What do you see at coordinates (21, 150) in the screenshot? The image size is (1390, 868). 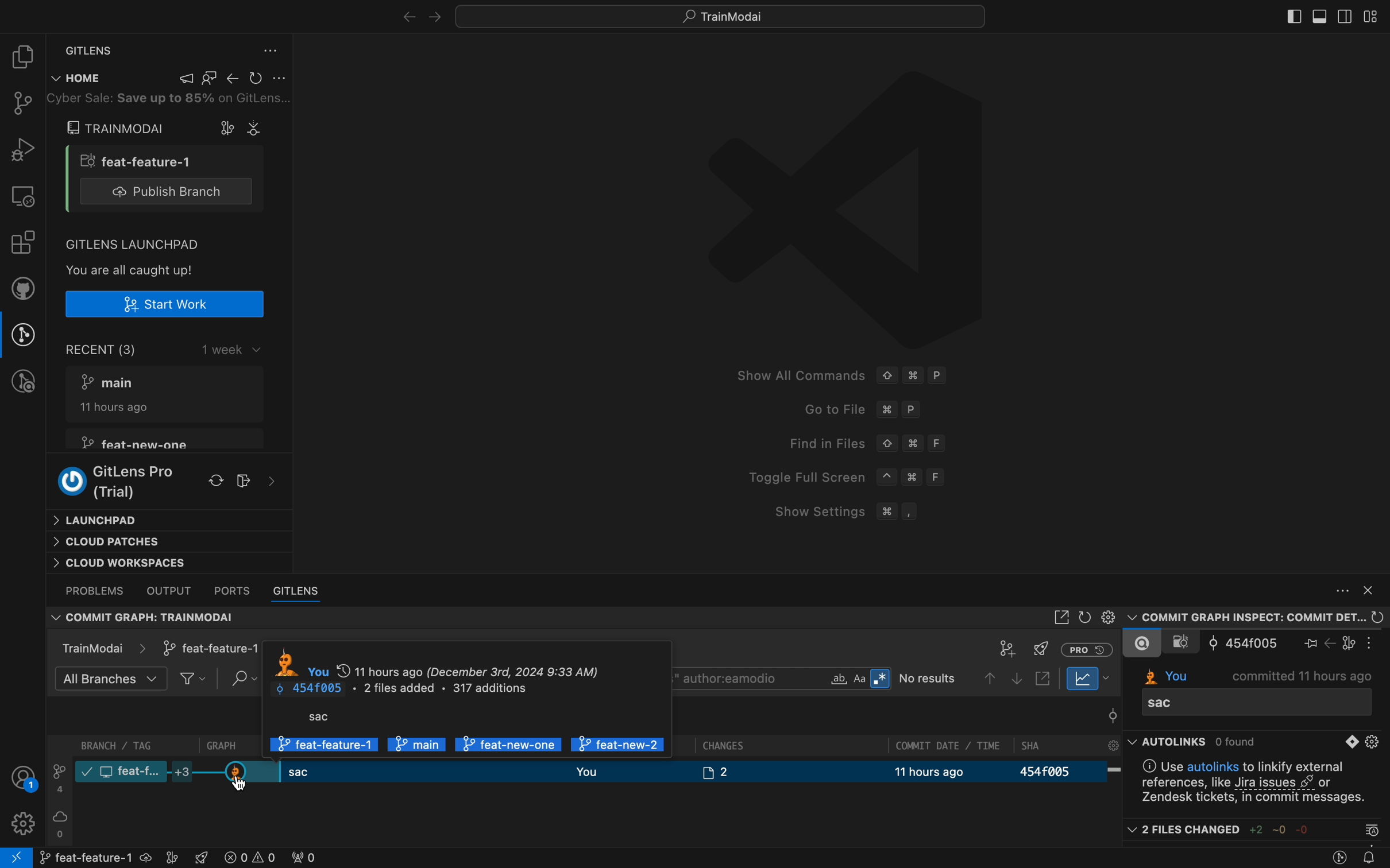 I see `debugger` at bounding box center [21, 150].